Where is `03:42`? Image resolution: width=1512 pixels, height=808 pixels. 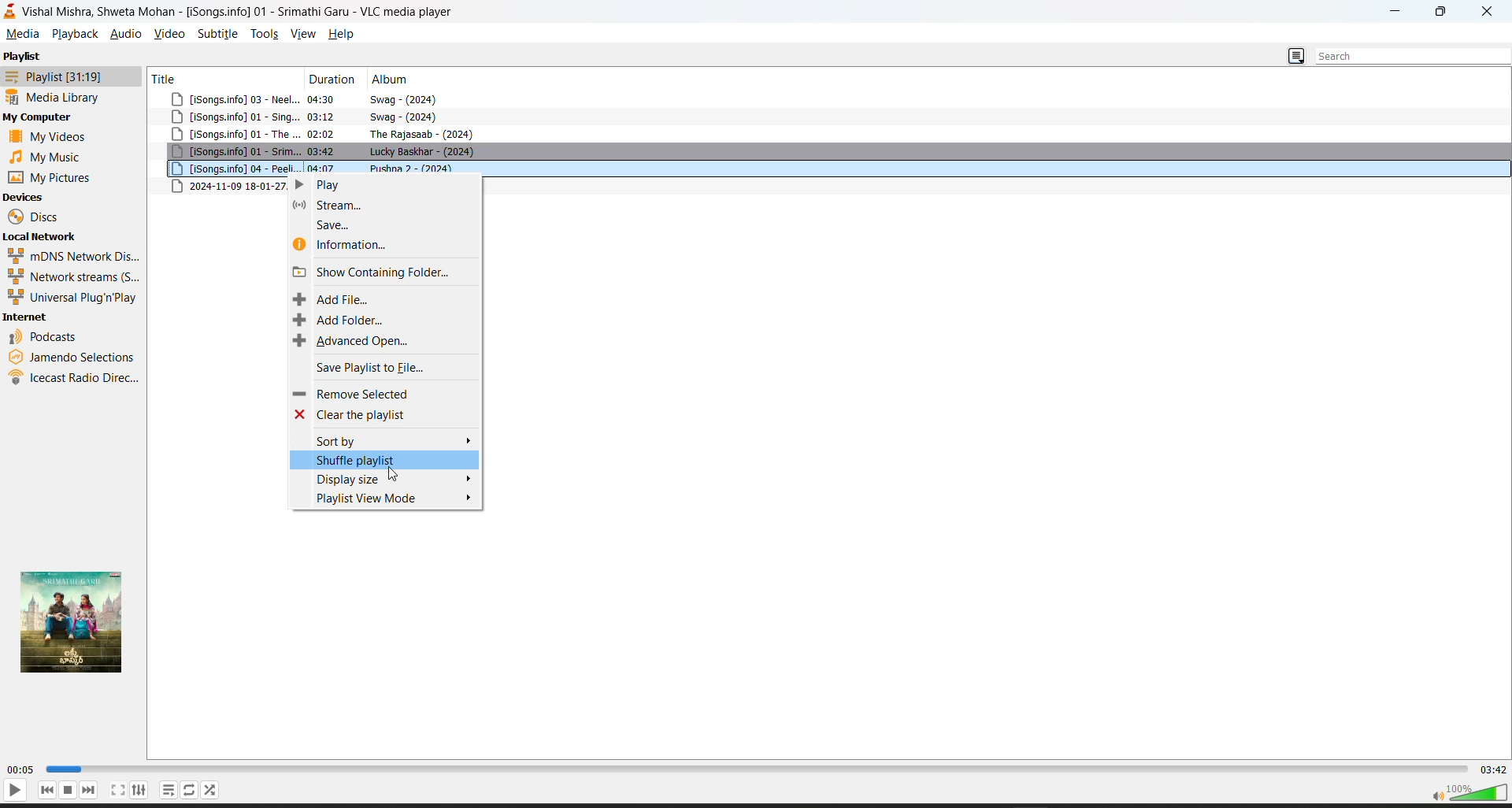 03:42 is located at coordinates (323, 150).